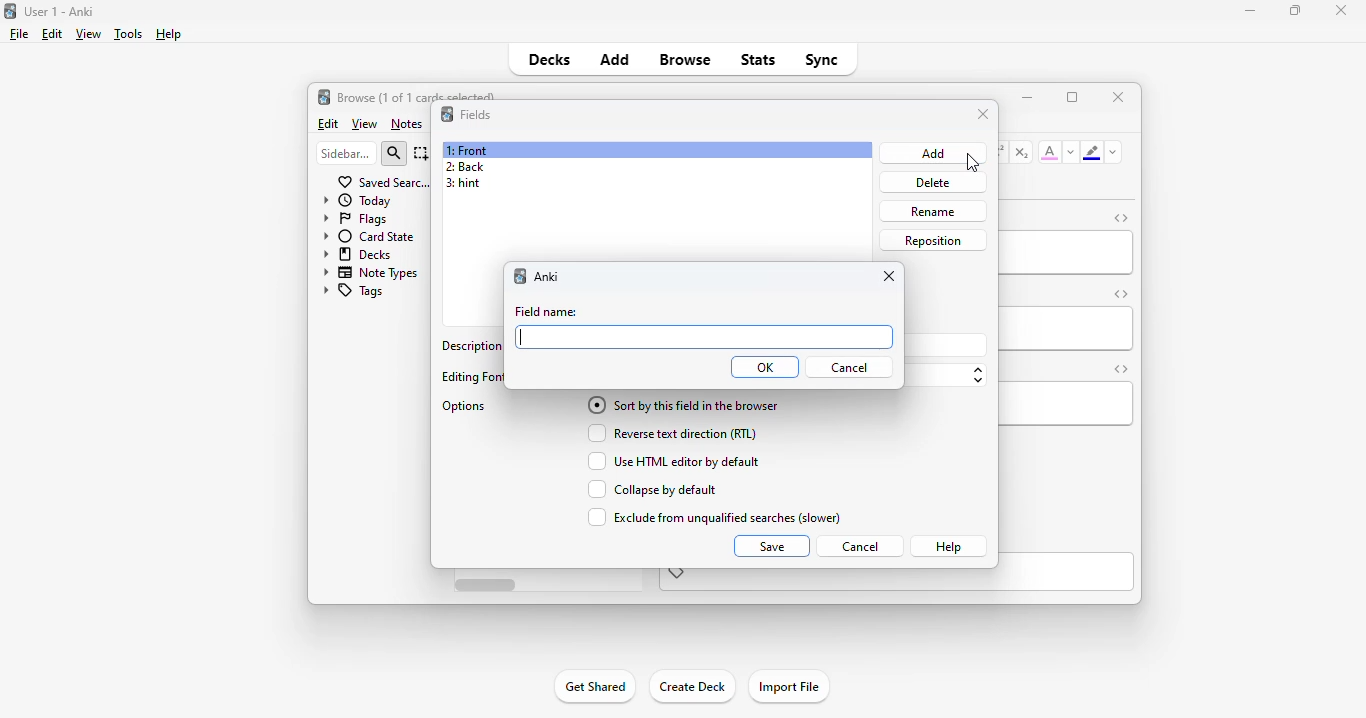 This screenshot has width=1366, height=718. Describe the element at coordinates (546, 311) in the screenshot. I see `field name` at that location.